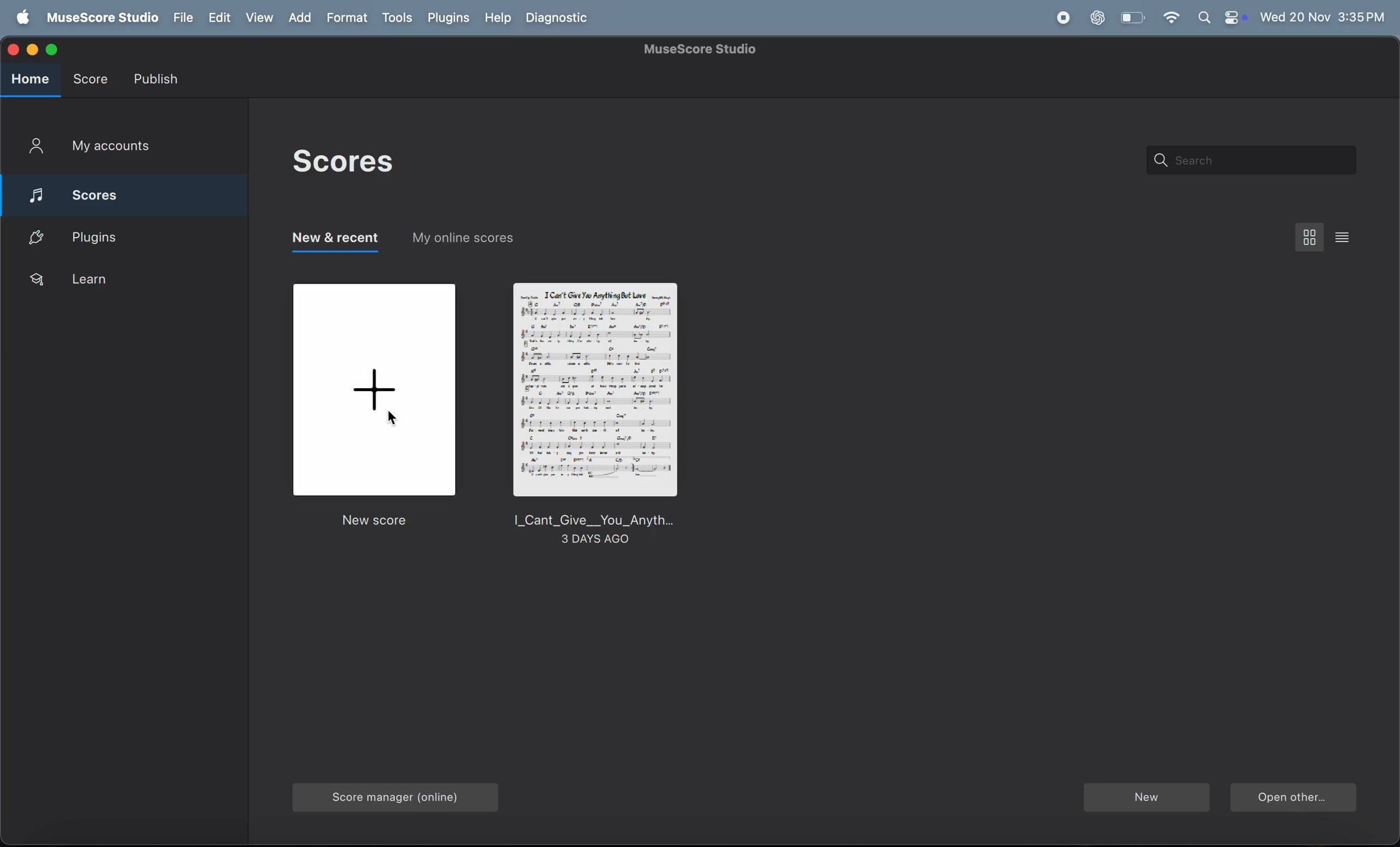  What do you see at coordinates (1062, 18) in the screenshot?
I see `record` at bounding box center [1062, 18].